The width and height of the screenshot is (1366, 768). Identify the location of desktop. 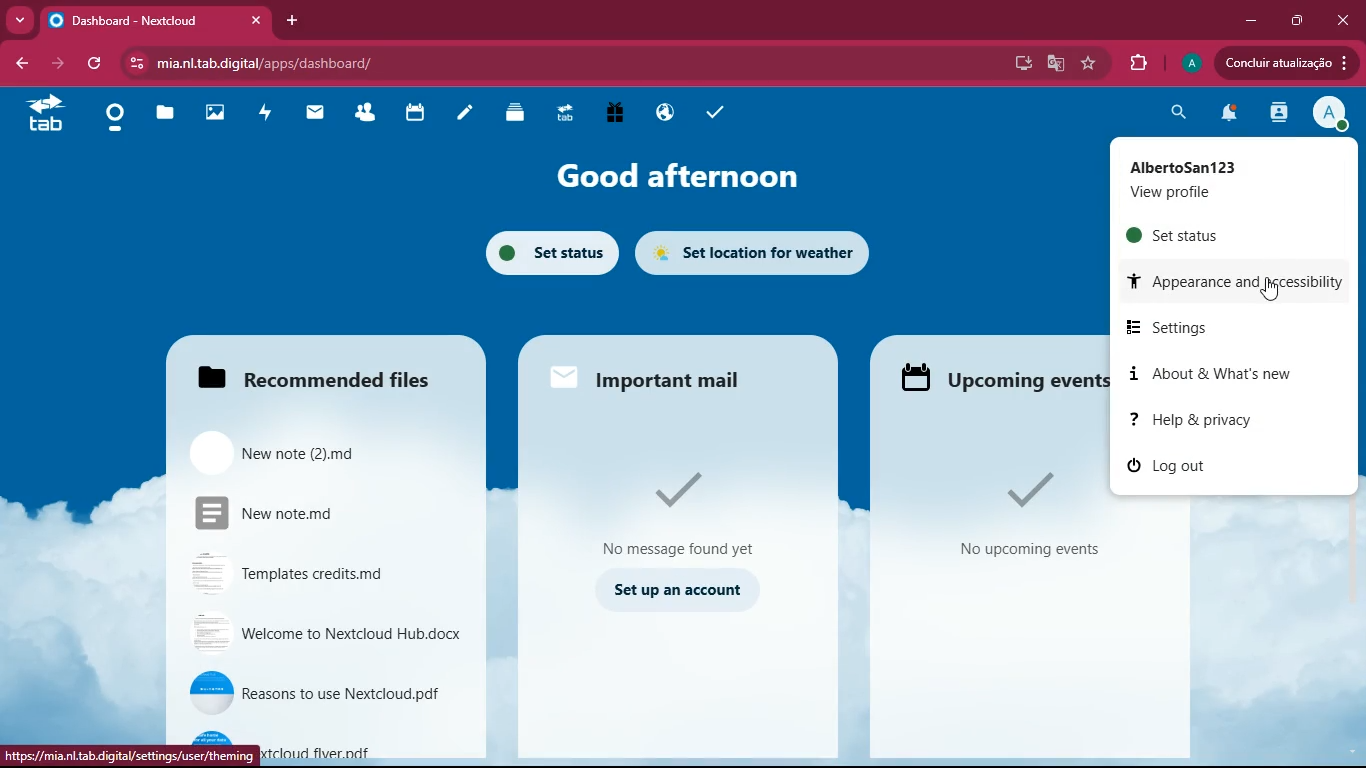
(1020, 65).